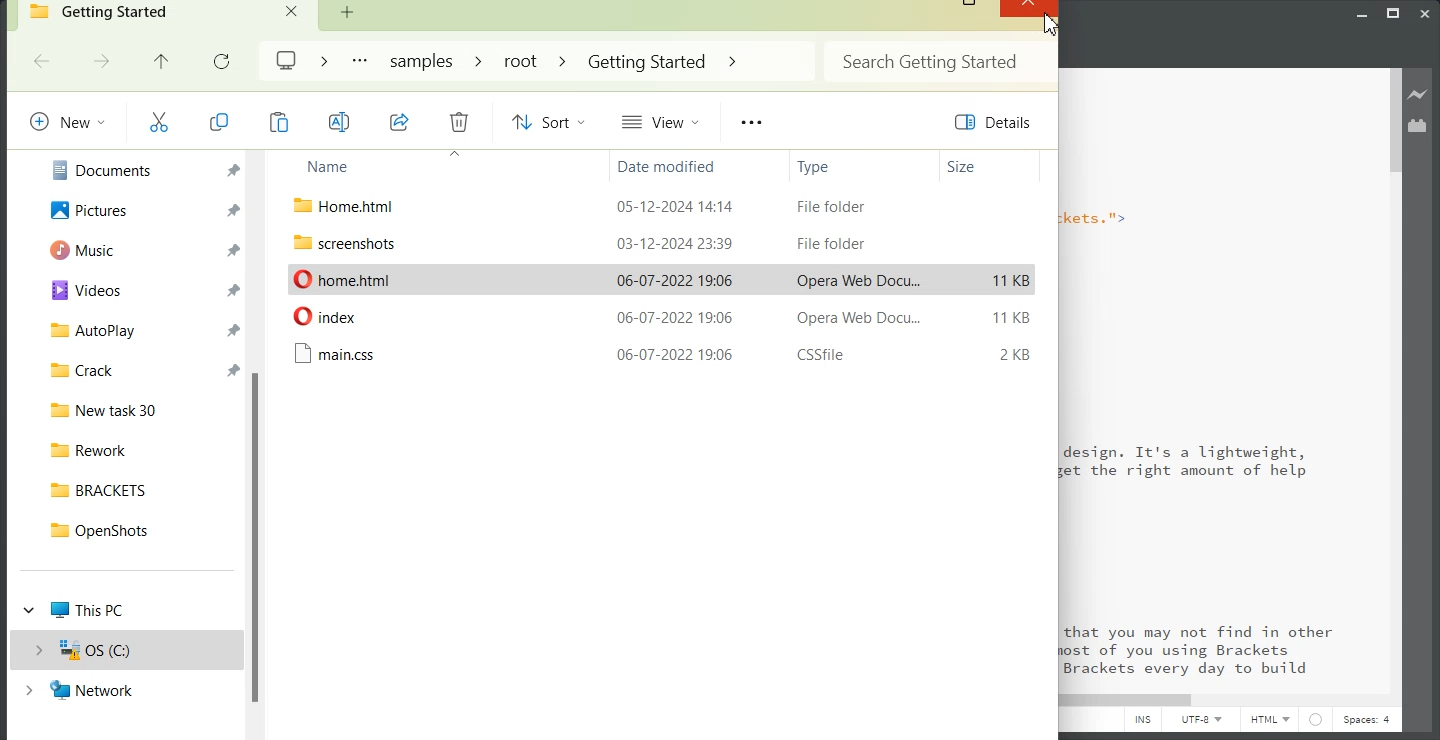  What do you see at coordinates (138, 370) in the screenshot?
I see `Crack File` at bounding box center [138, 370].